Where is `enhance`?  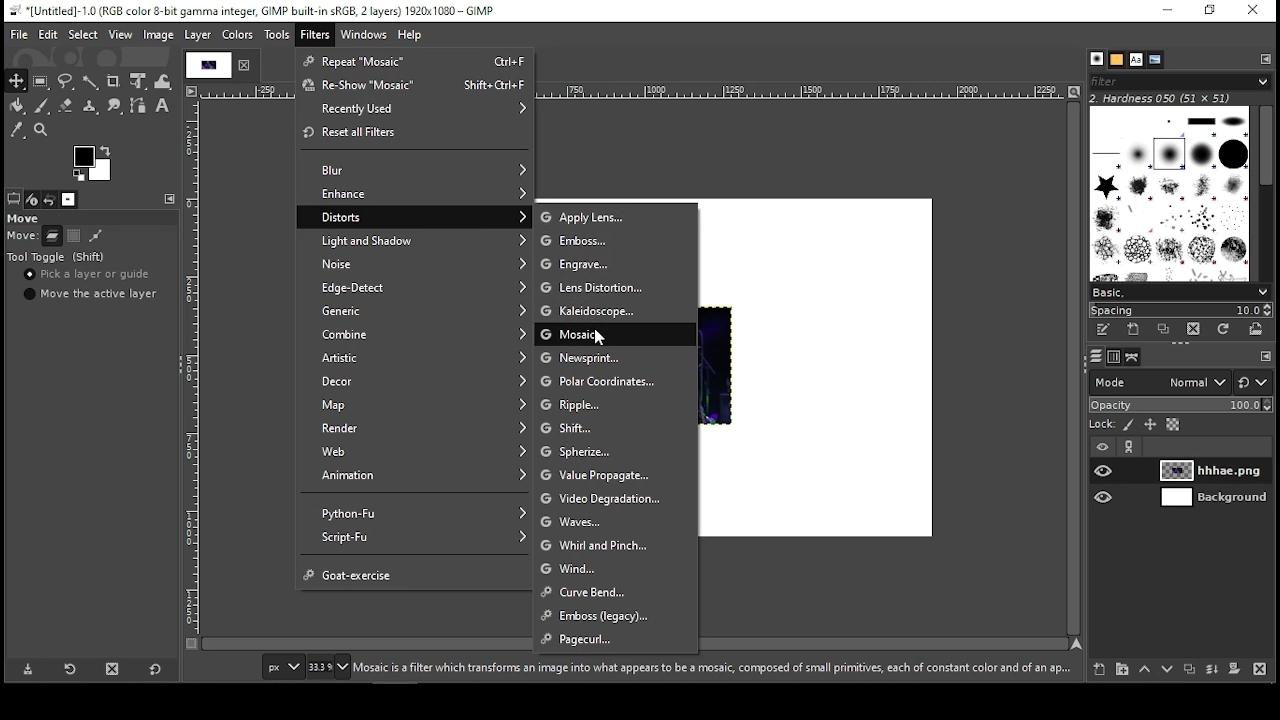
enhance is located at coordinates (417, 194).